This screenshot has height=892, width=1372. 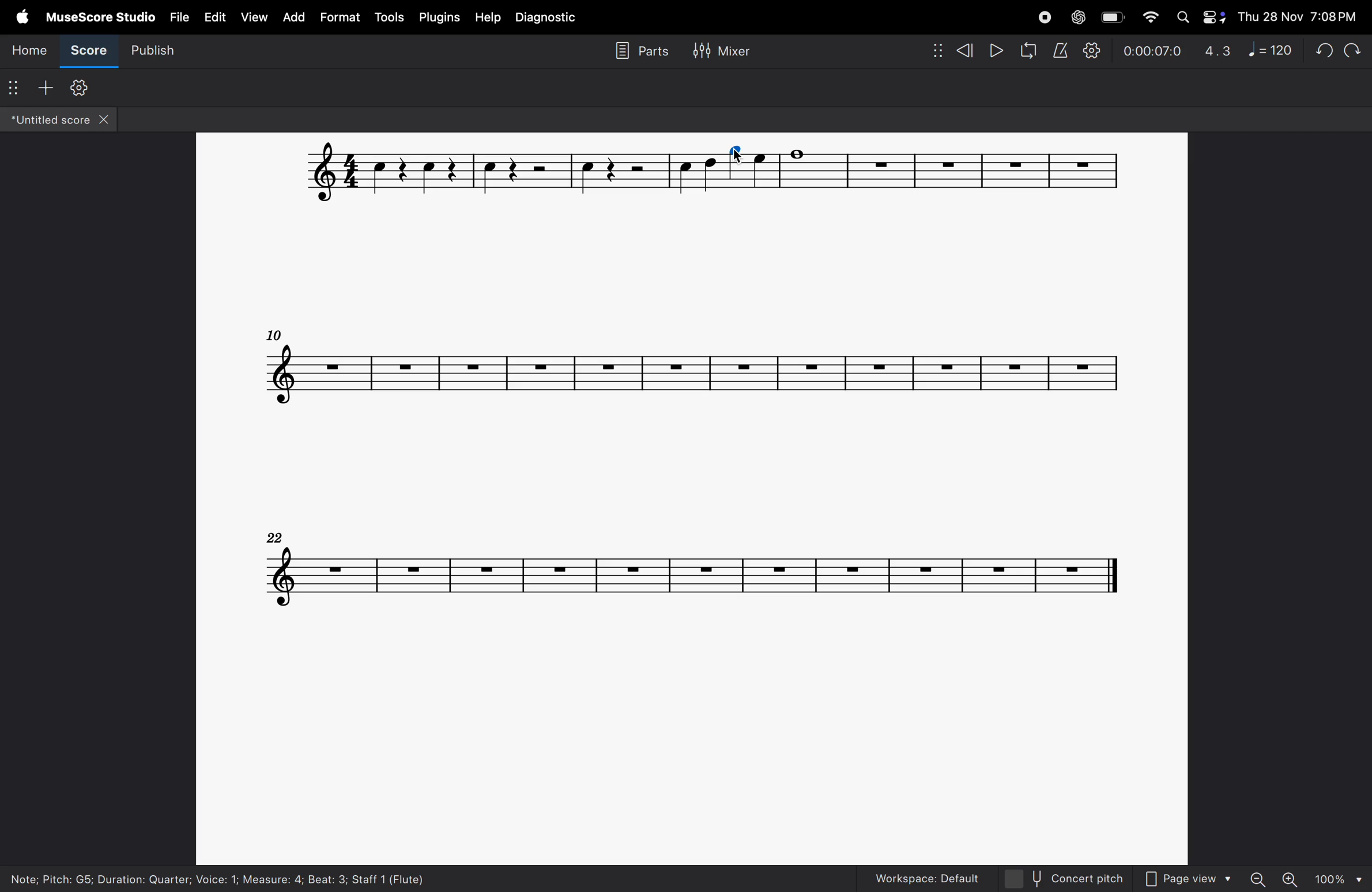 I want to click on setting, so click(x=1091, y=49).